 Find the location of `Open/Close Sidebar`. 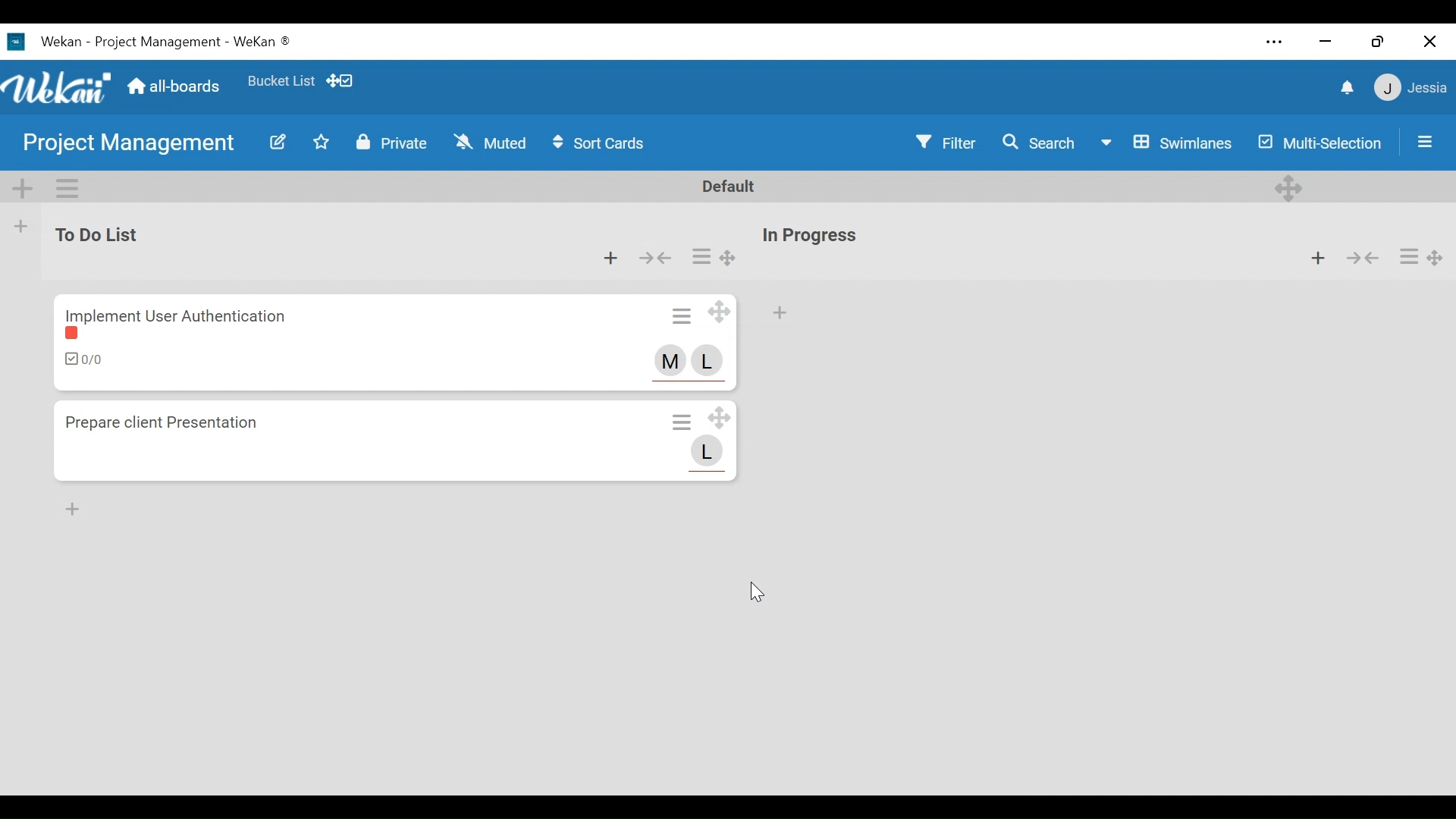

Open/Close Sidebar is located at coordinates (1425, 142).